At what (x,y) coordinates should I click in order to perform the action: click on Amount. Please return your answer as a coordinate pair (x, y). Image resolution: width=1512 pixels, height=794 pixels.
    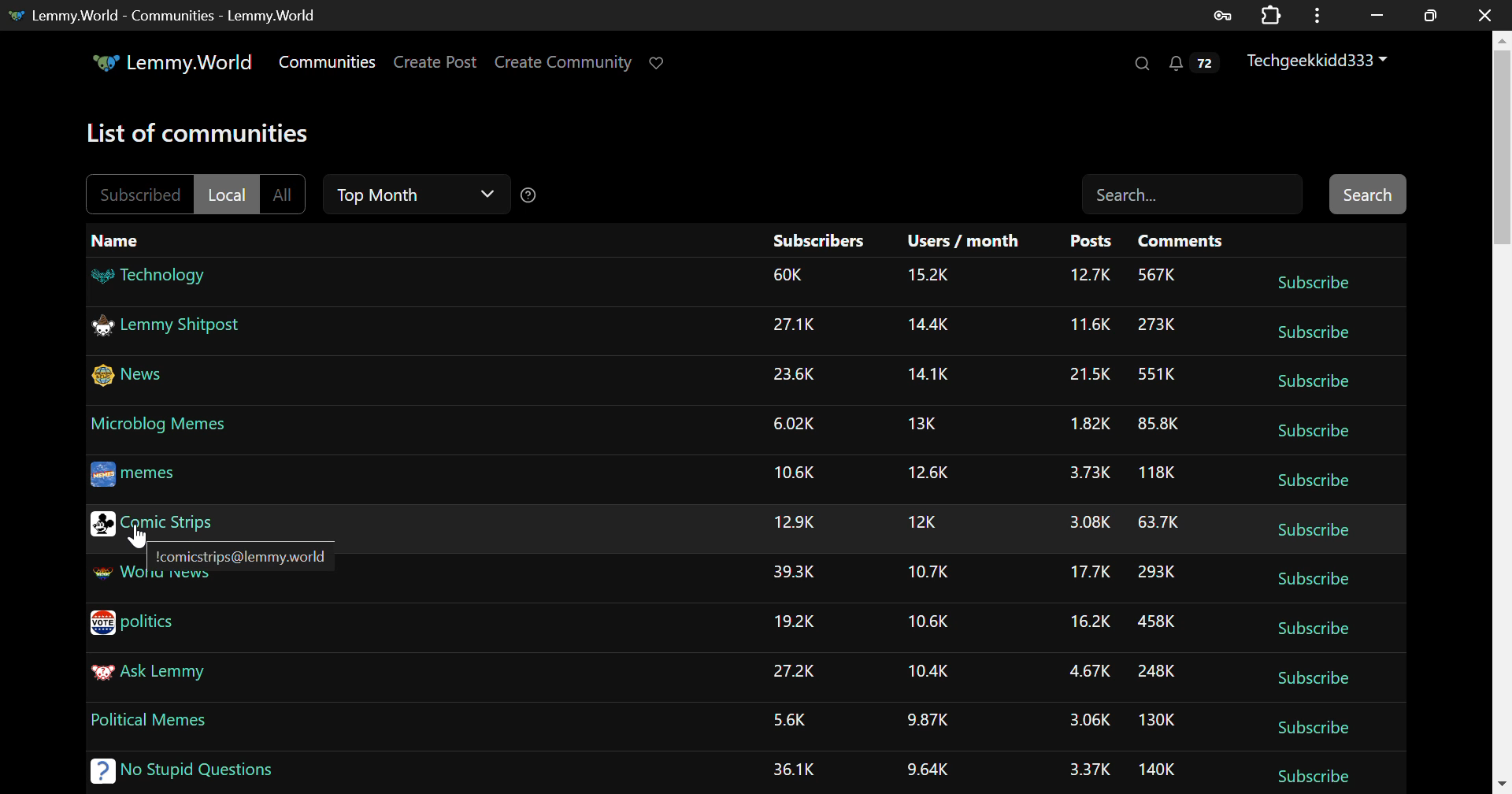
    Looking at the image, I should click on (795, 523).